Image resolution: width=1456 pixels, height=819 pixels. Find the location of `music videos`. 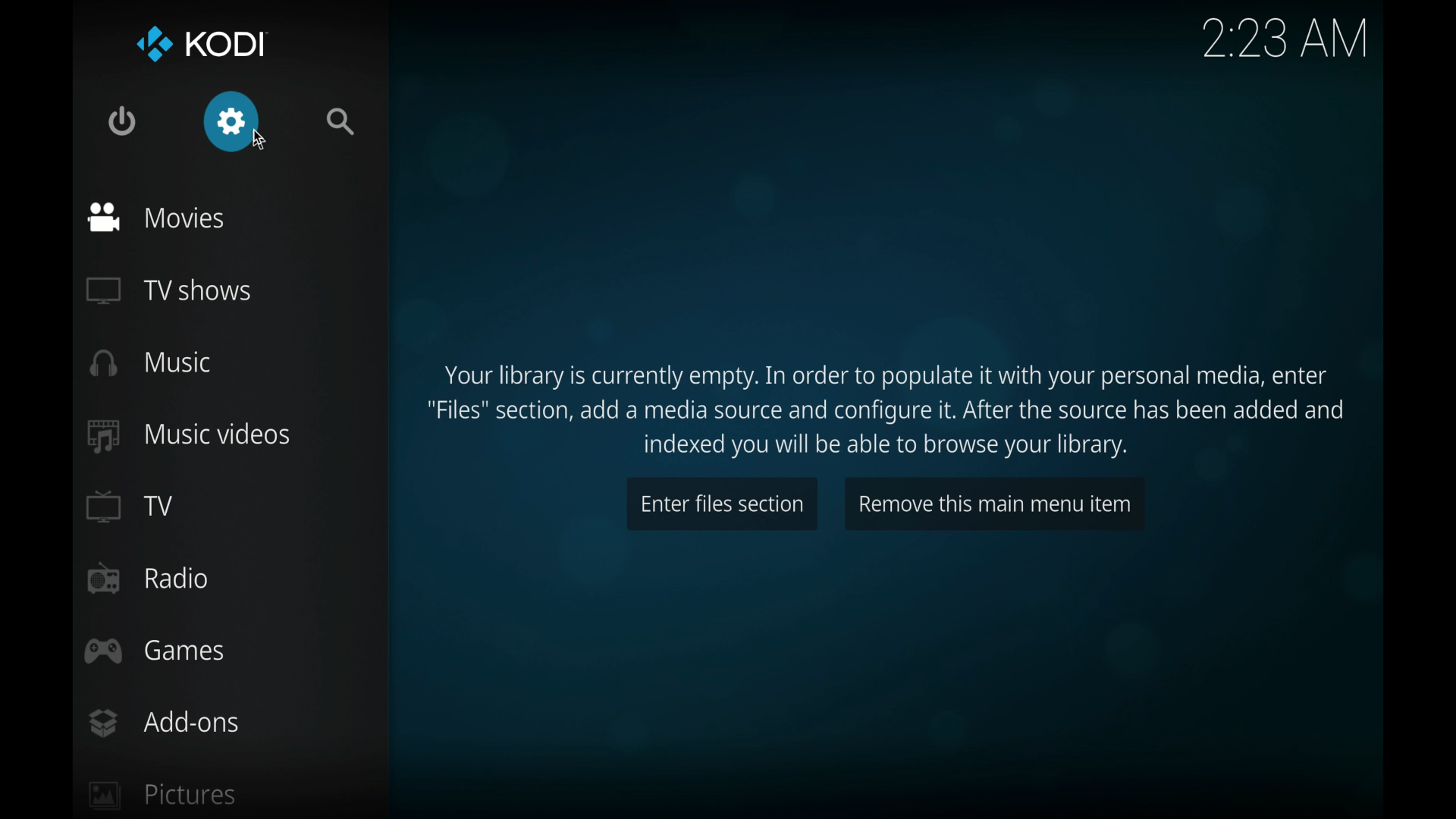

music videos is located at coordinates (188, 436).